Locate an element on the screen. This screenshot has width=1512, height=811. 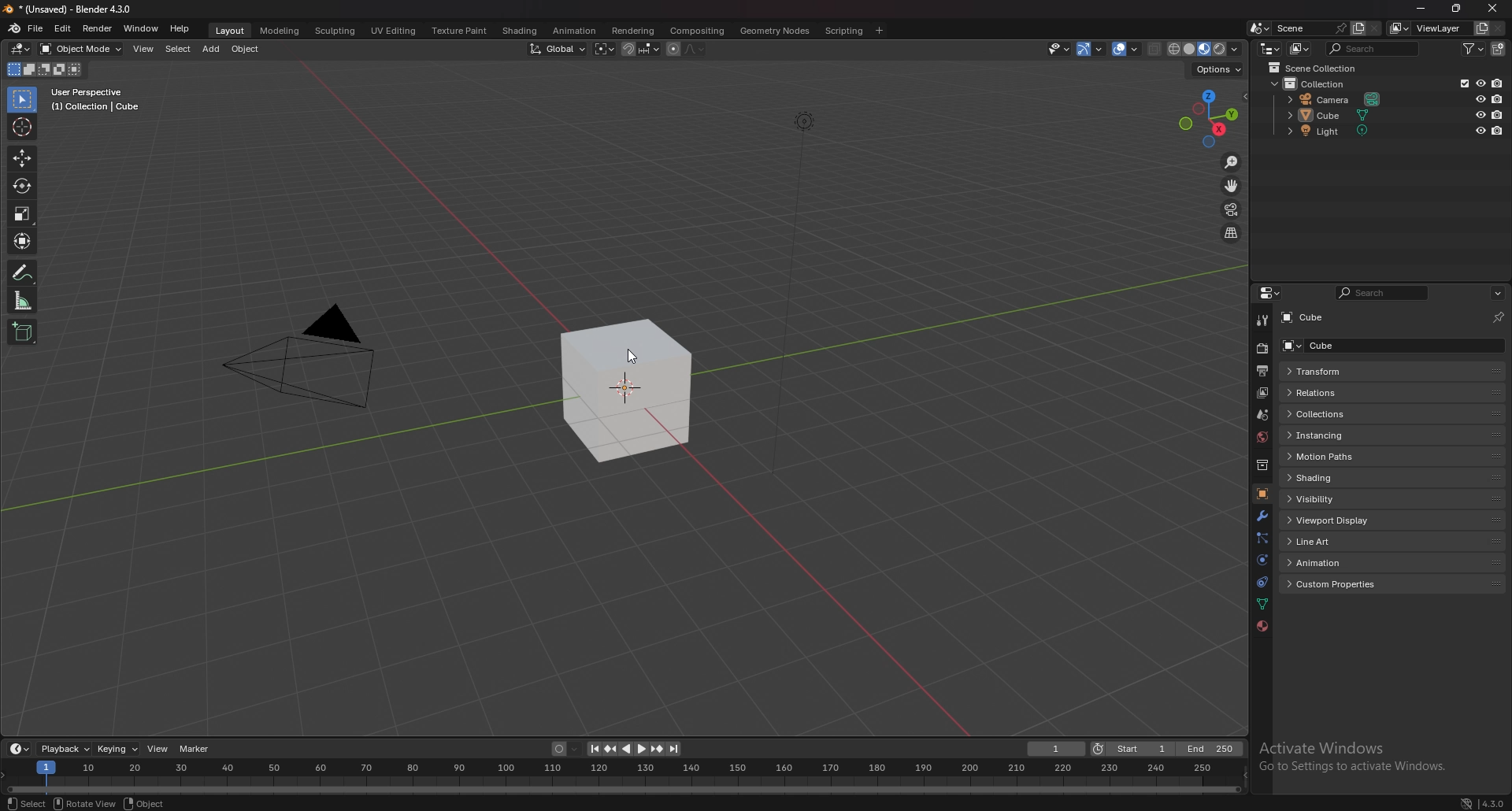
disable in renders is located at coordinates (1498, 98).